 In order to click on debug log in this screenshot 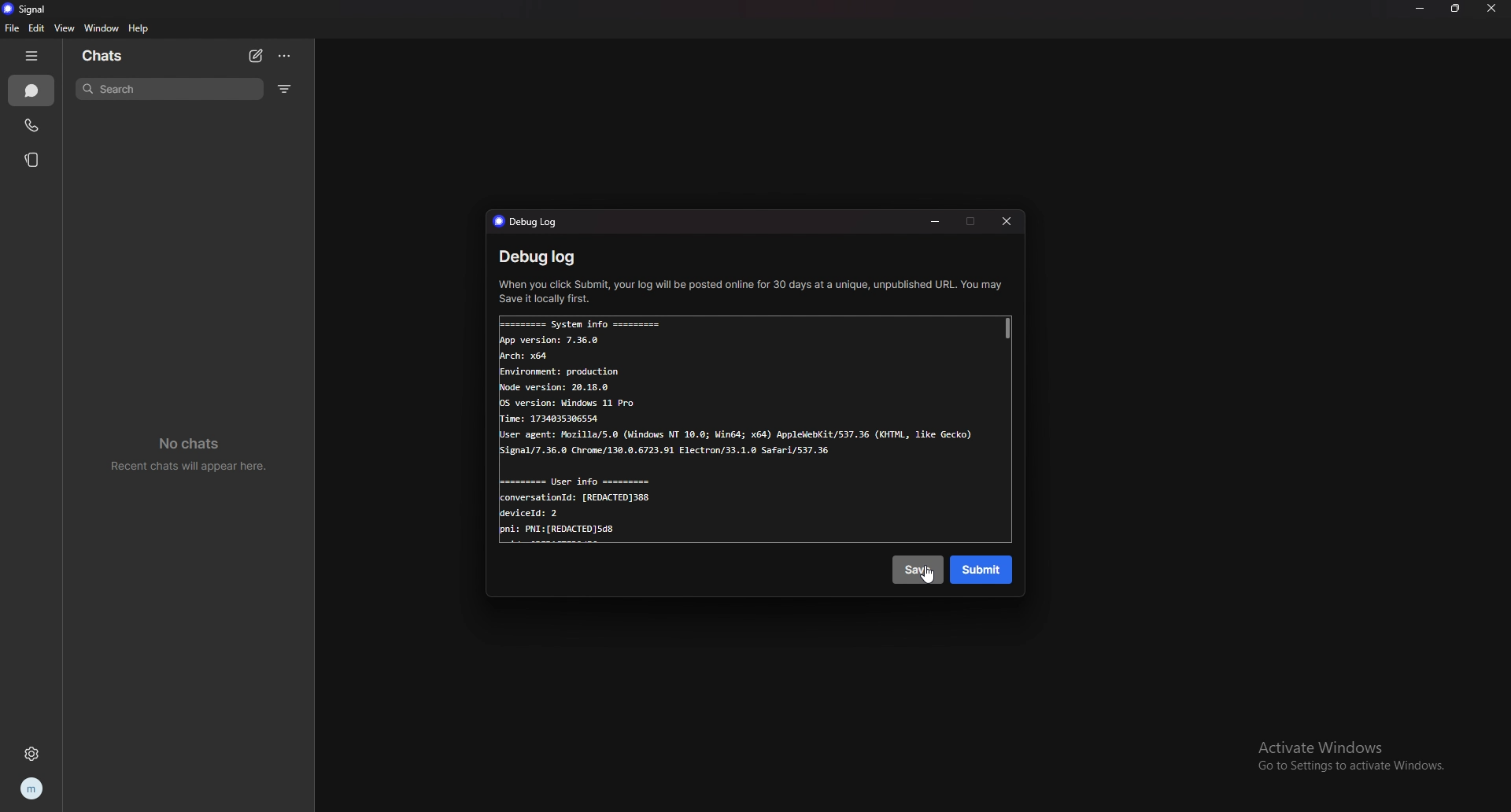, I will do `click(534, 221)`.